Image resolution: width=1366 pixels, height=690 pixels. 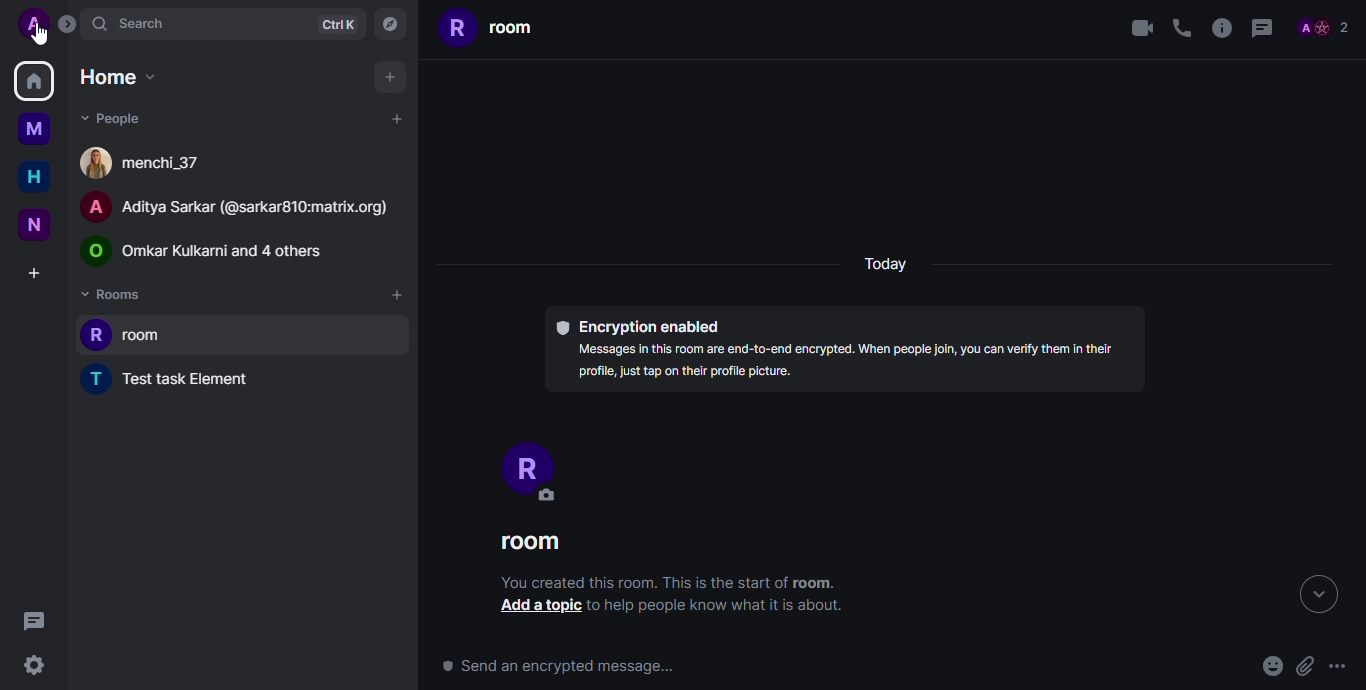 I want to click on encryption enabled, so click(x=637, y=325).